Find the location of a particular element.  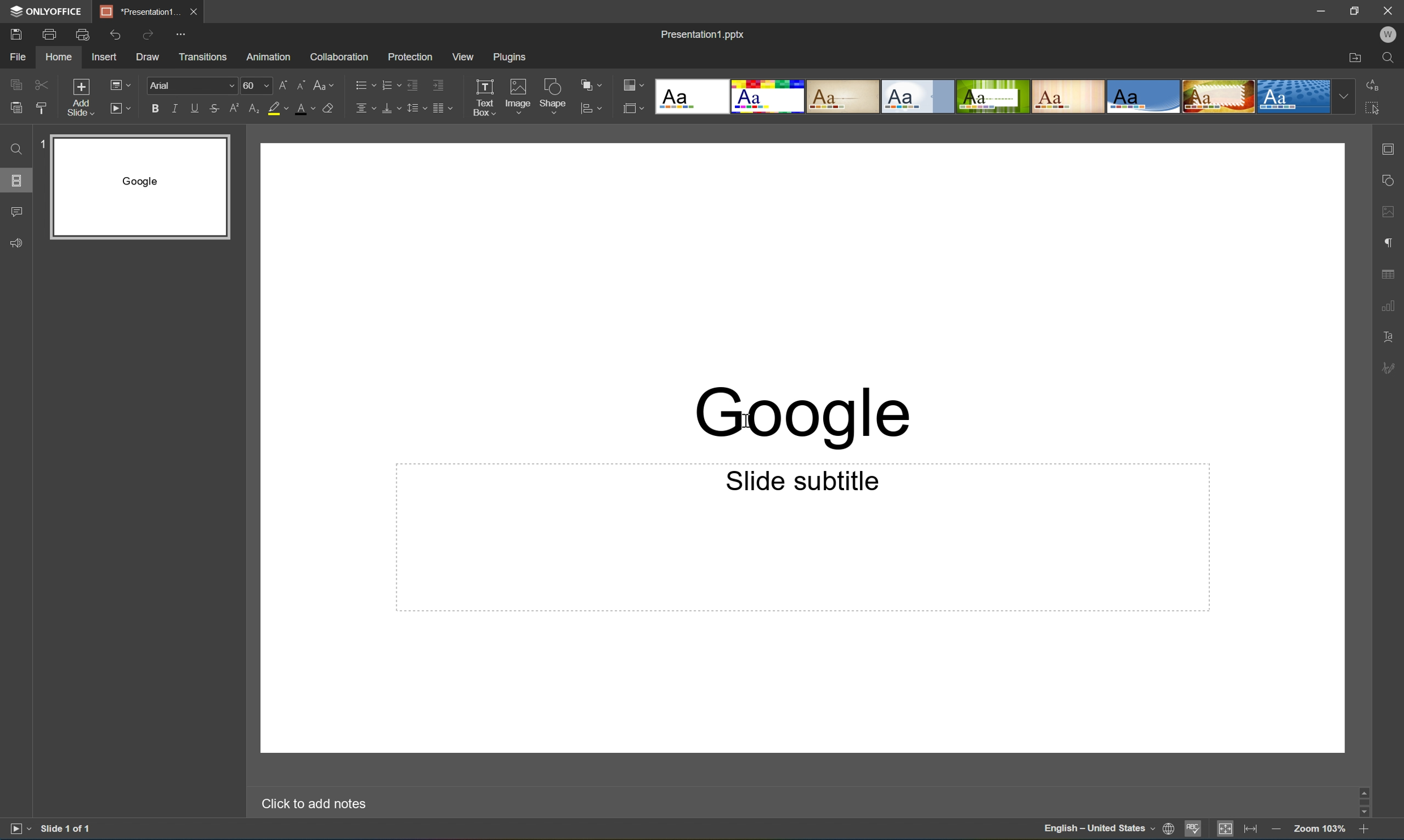

Image settings is located at coordinates (1391, 213).